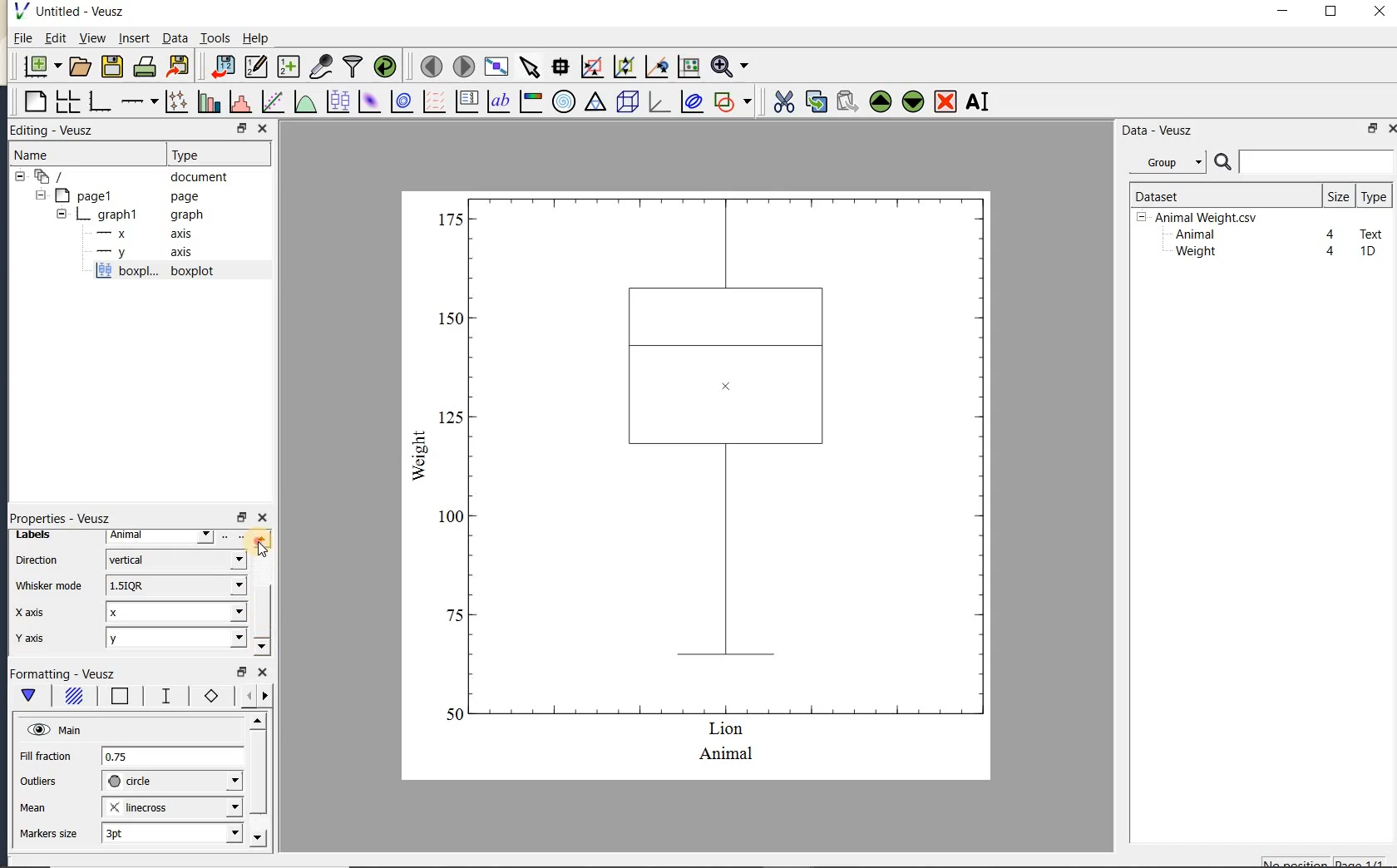 This screenshot has height=868, width=1397. I want to click on print the document, so click(145, 67).